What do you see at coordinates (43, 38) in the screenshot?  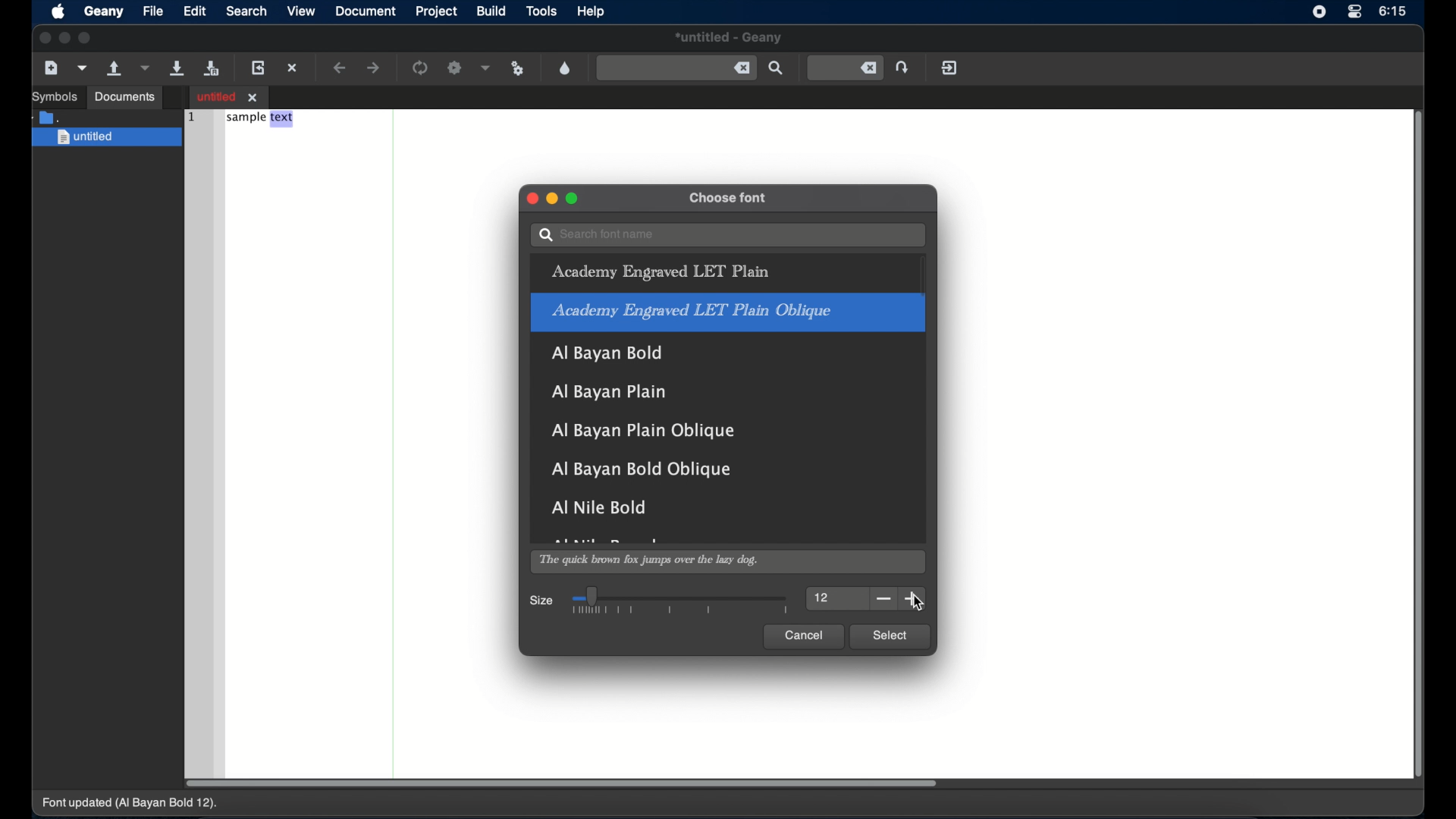 I see `close` at bounding box center [43, 38].